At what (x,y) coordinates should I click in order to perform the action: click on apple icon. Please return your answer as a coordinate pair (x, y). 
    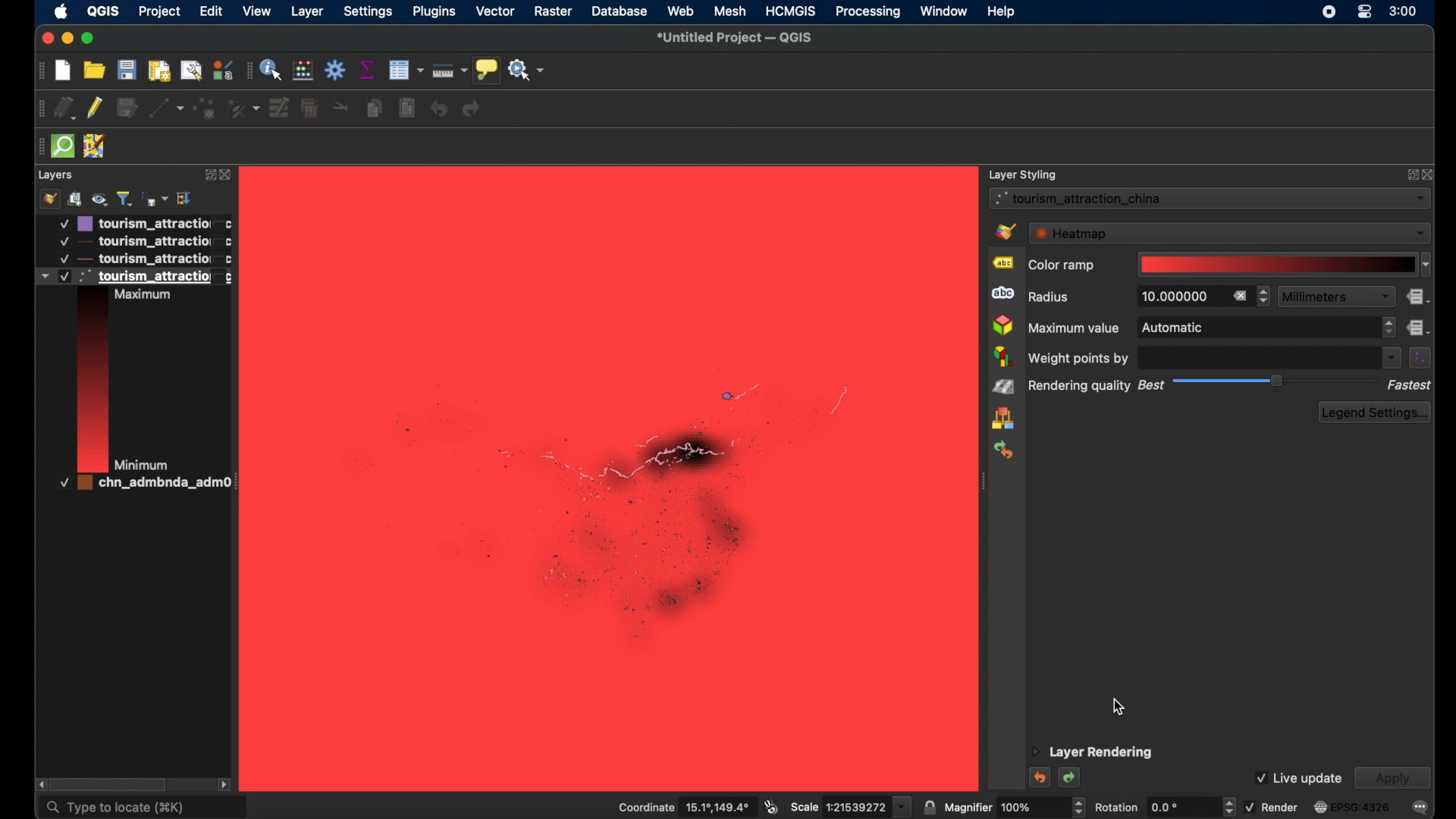
    Looking at the image, I should click on (61, 11).